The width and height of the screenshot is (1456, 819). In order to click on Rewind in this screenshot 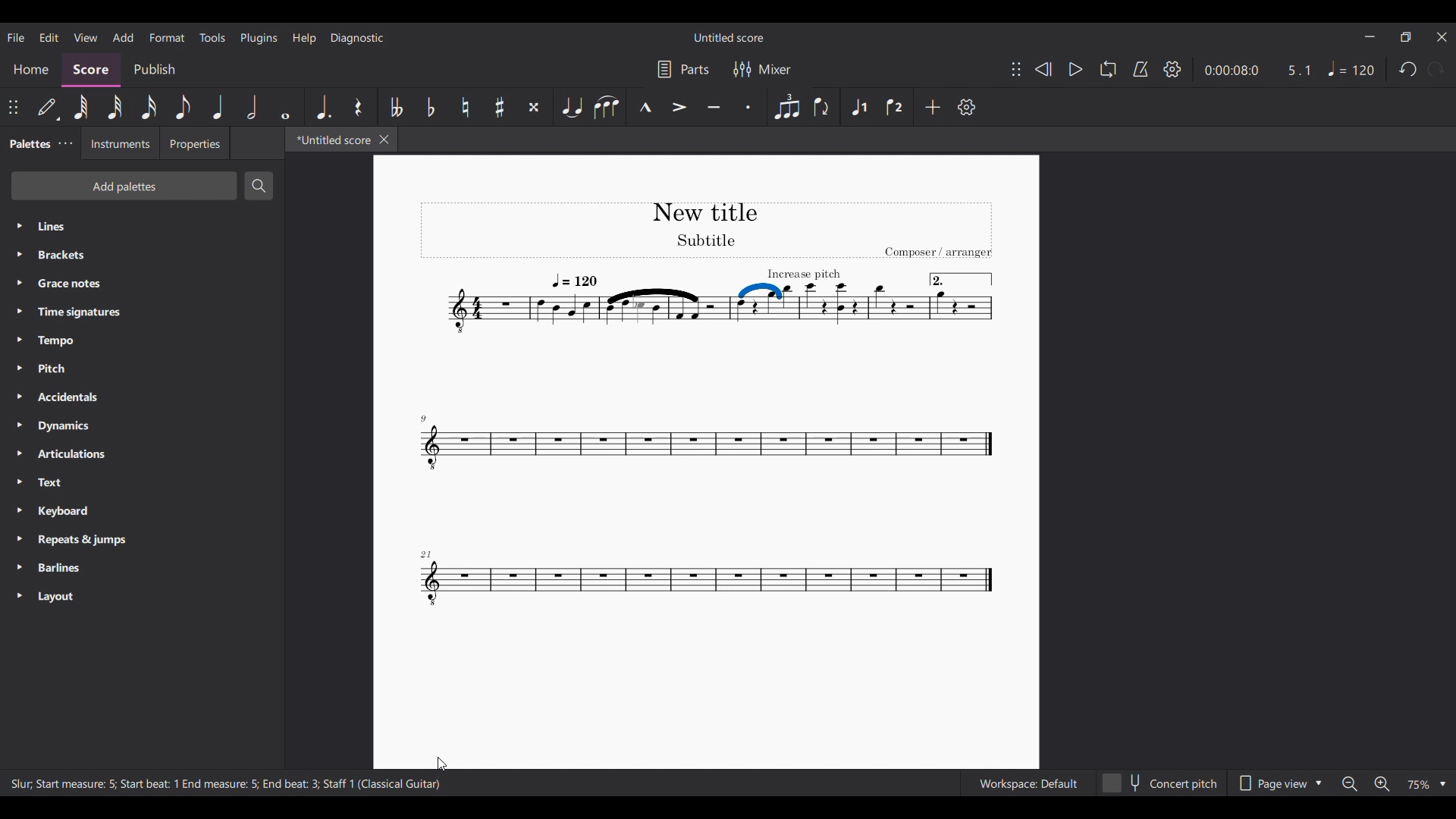, I will do `click(1043, 70)`.